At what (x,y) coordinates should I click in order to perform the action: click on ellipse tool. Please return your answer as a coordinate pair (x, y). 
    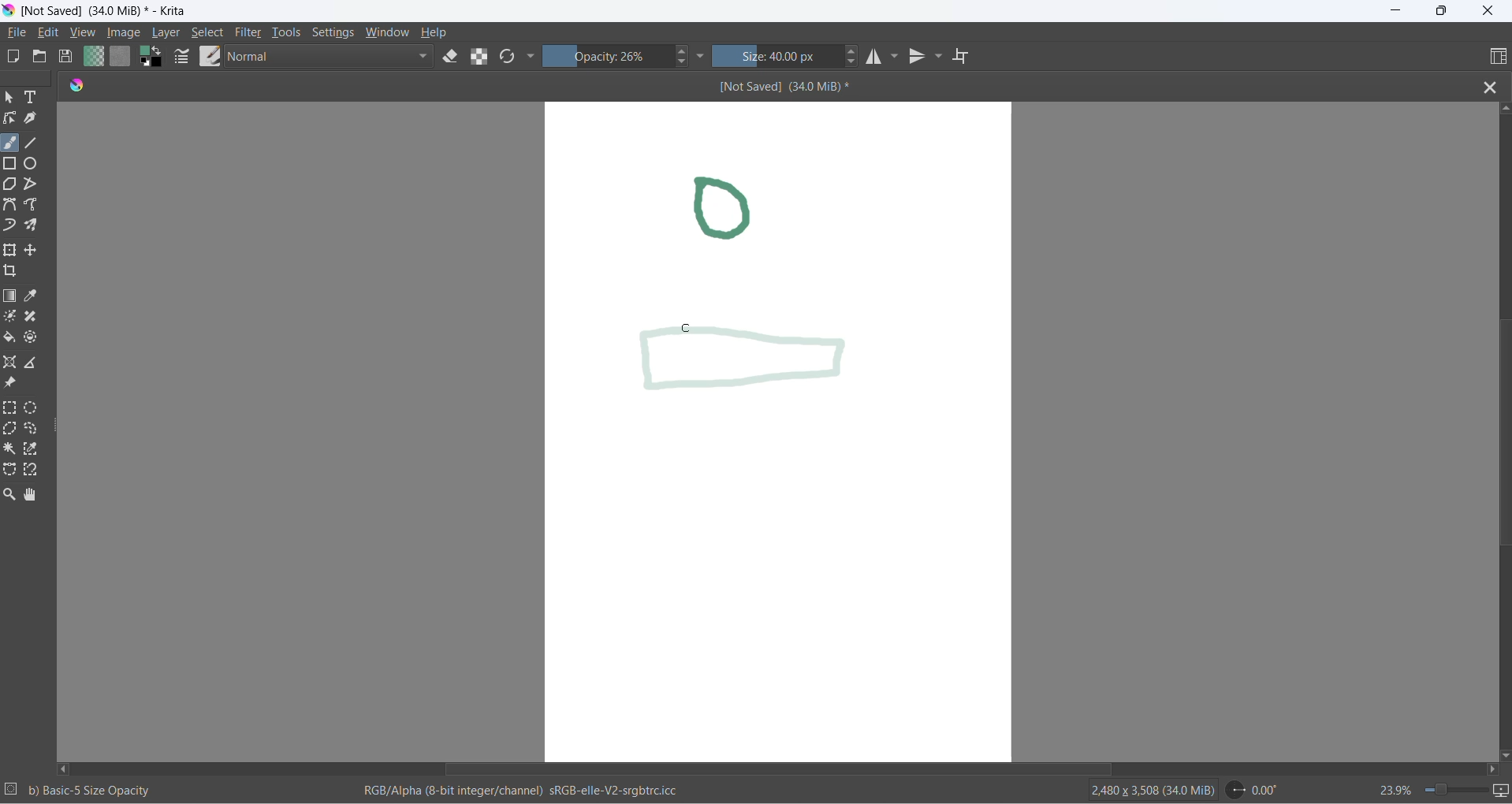
    Looking at the image, I should click on (39, 164).